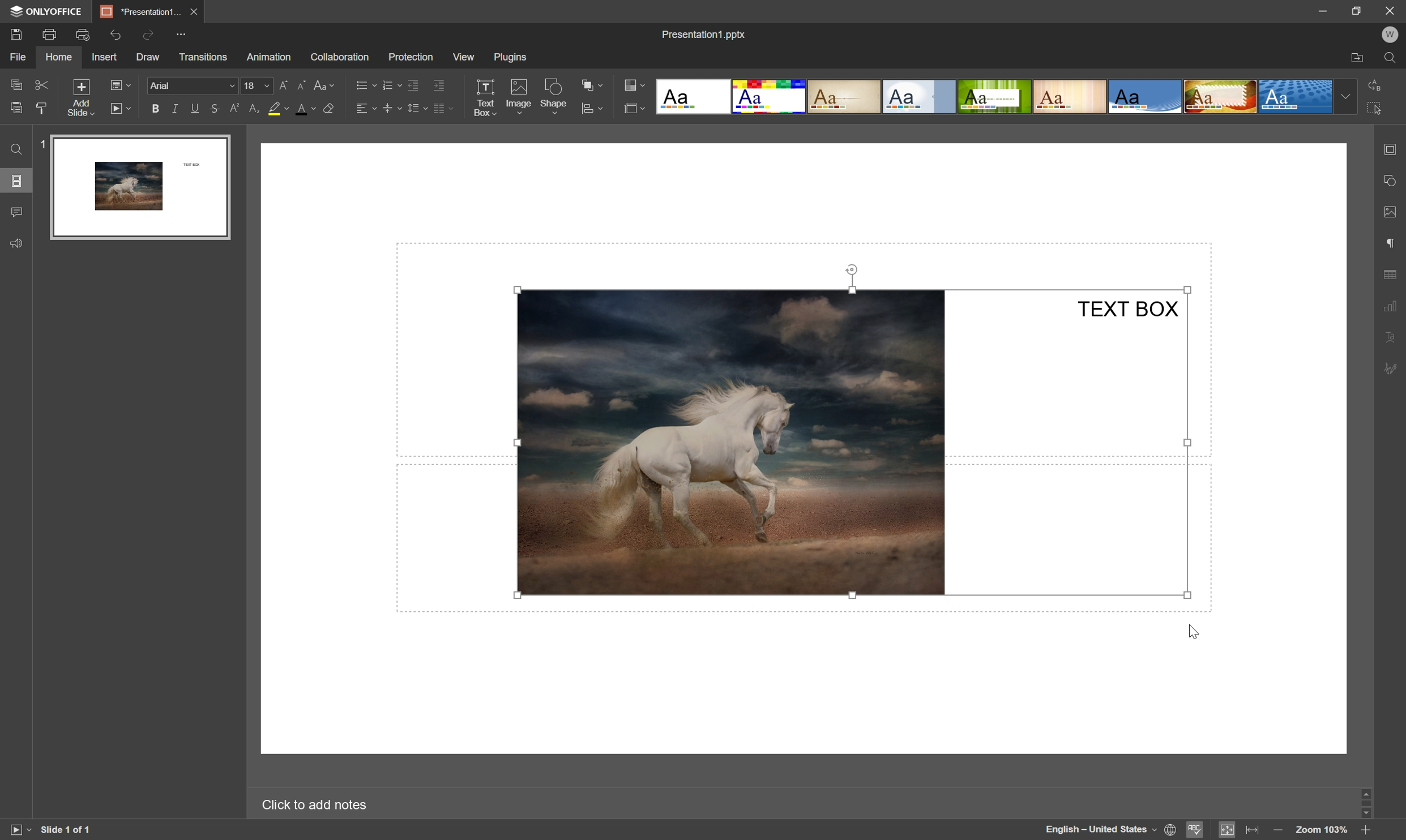  Describe the element at coordinates (237, 109) in the screenshot. I see `superscript` at that location.